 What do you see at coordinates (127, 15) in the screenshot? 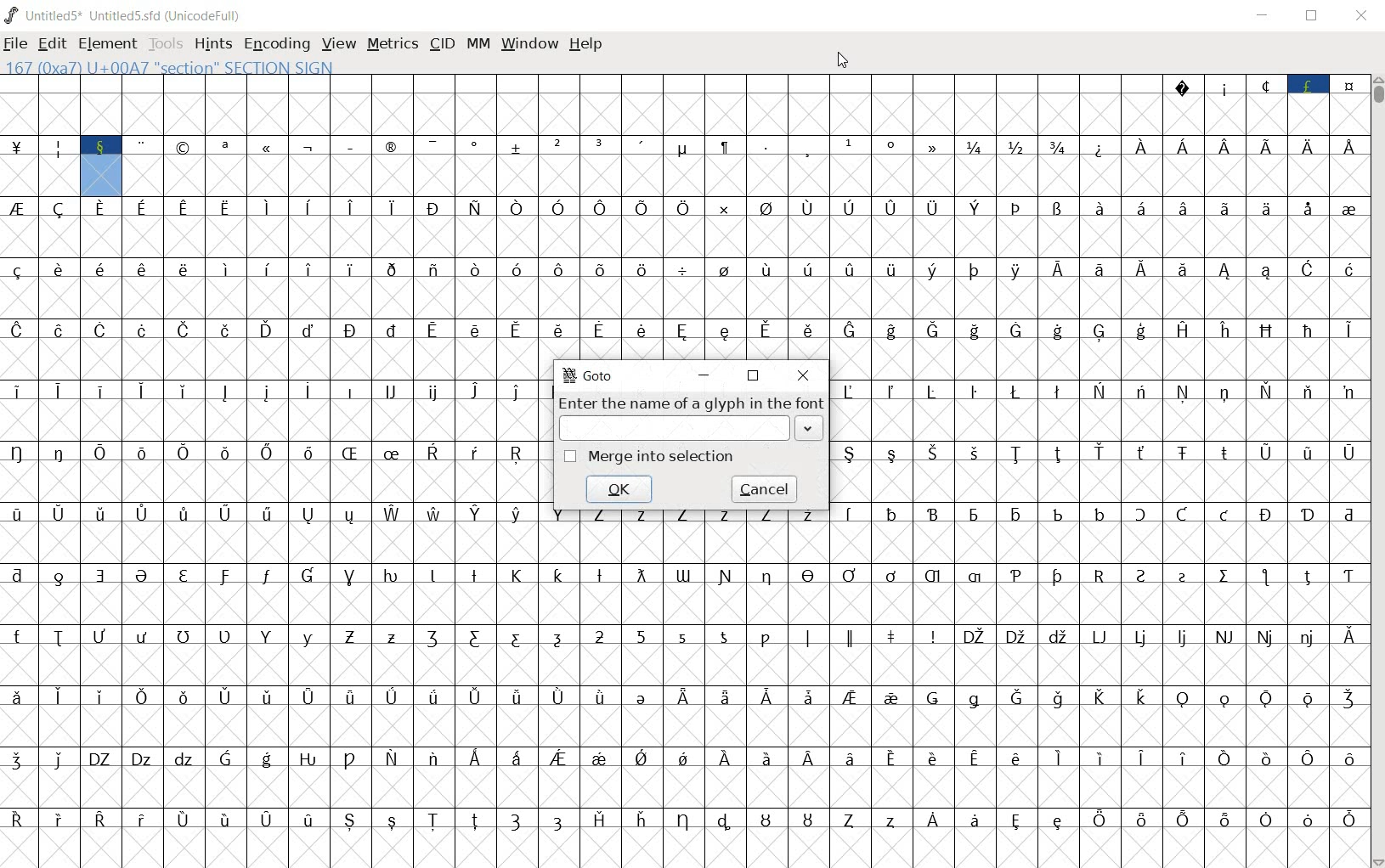
I see `Untitled1 Untitled1.sfd (UnicodeFull)` at bounding box center [127, 15].